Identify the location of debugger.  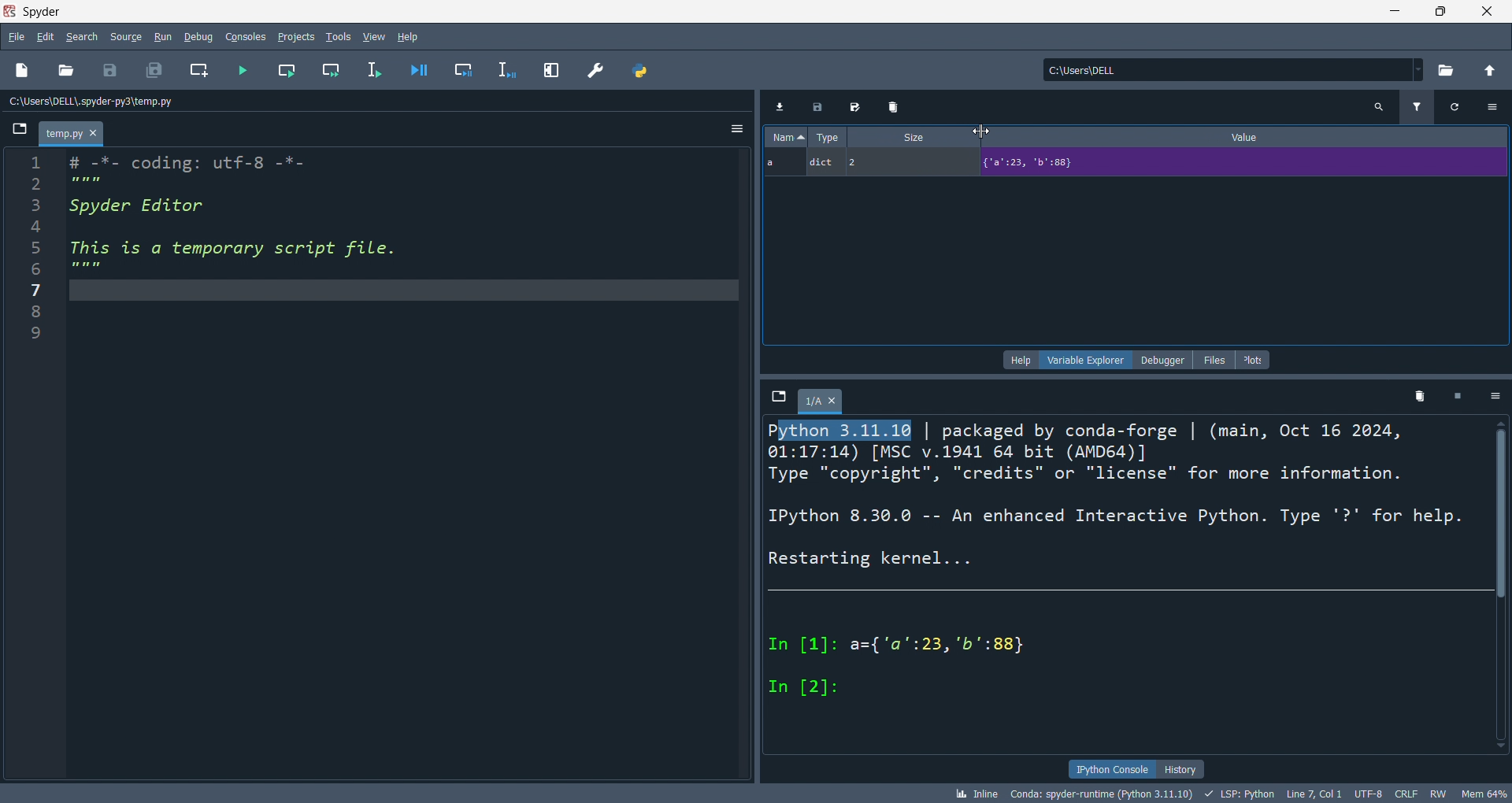
(1160, 361).